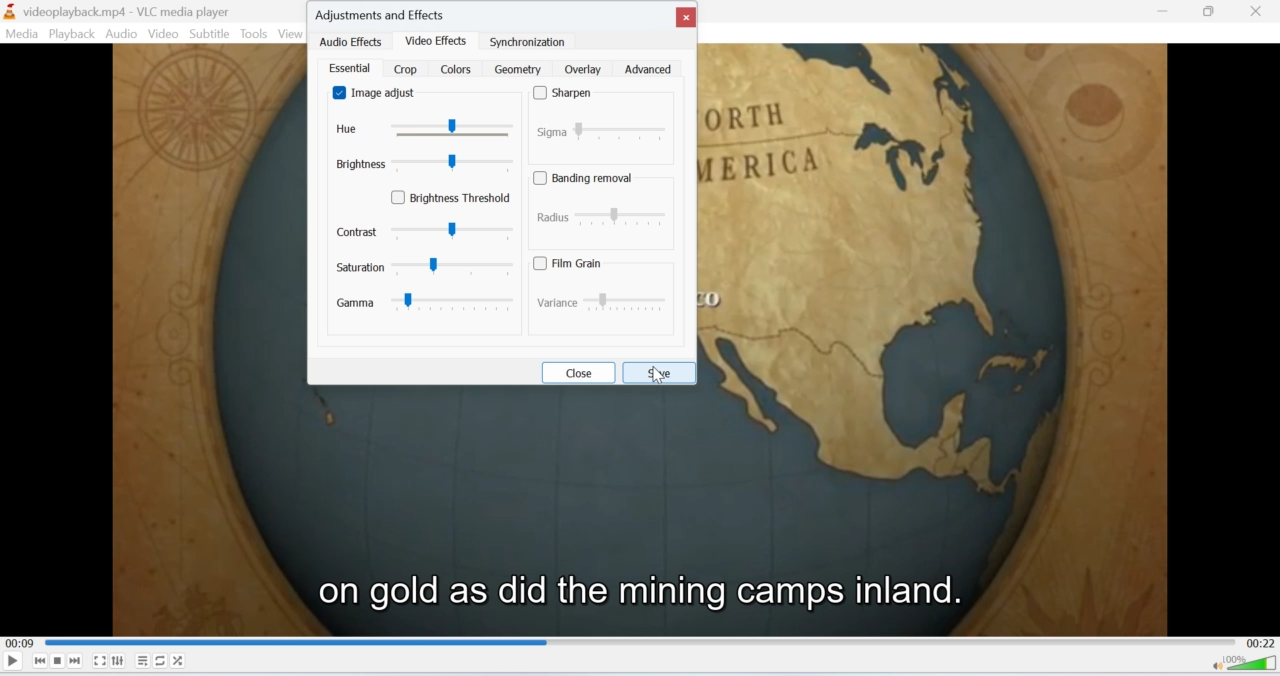 This screenshot has height=676, width=1280. What do you see at coordinates (574, 263) in the screenshot?
I see `film grain` at bounding box center [574, 263].